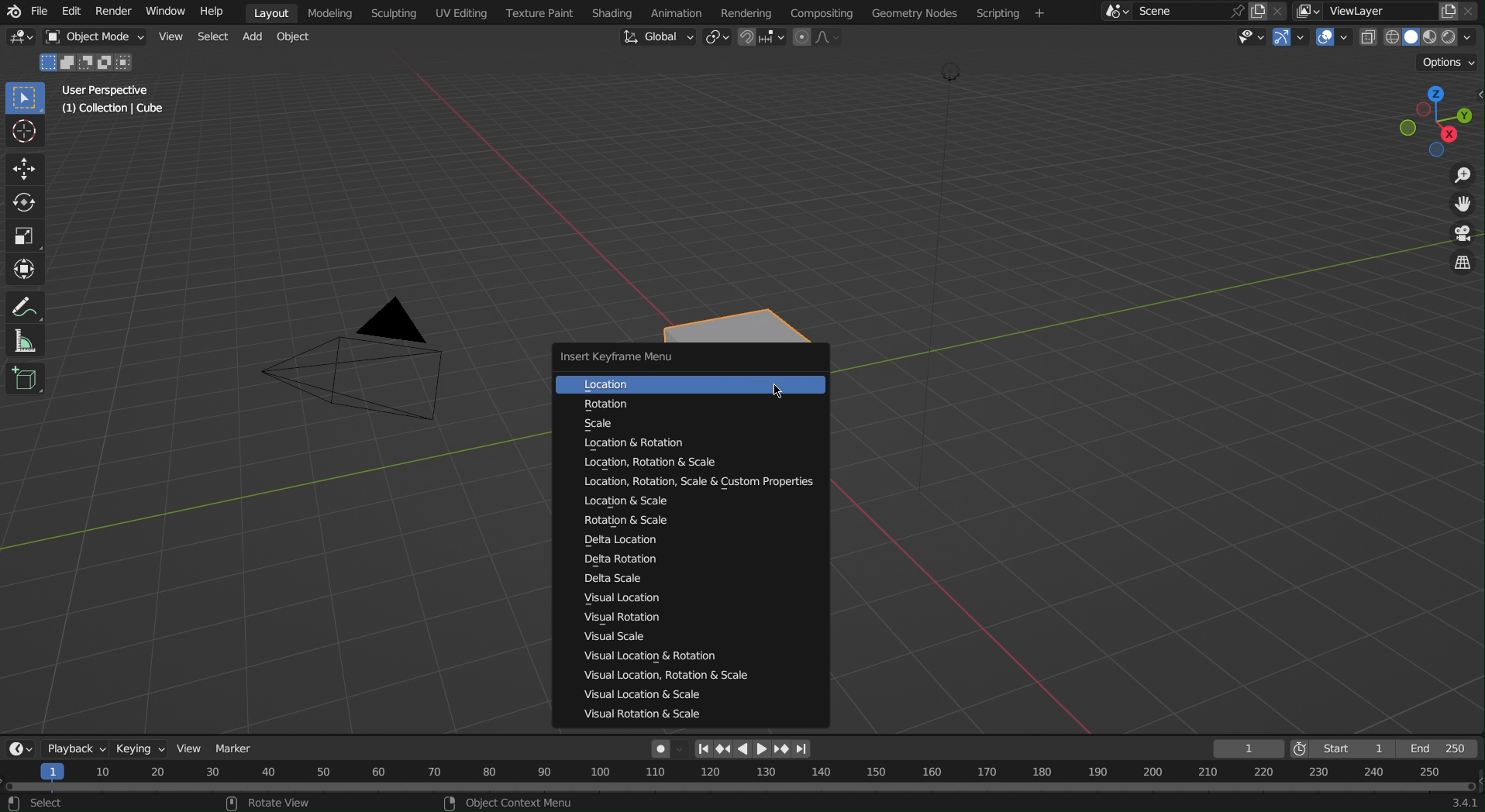 The width and height of the screenshot is (1485, 812). I want to click on Modeling, so click(326, 12).